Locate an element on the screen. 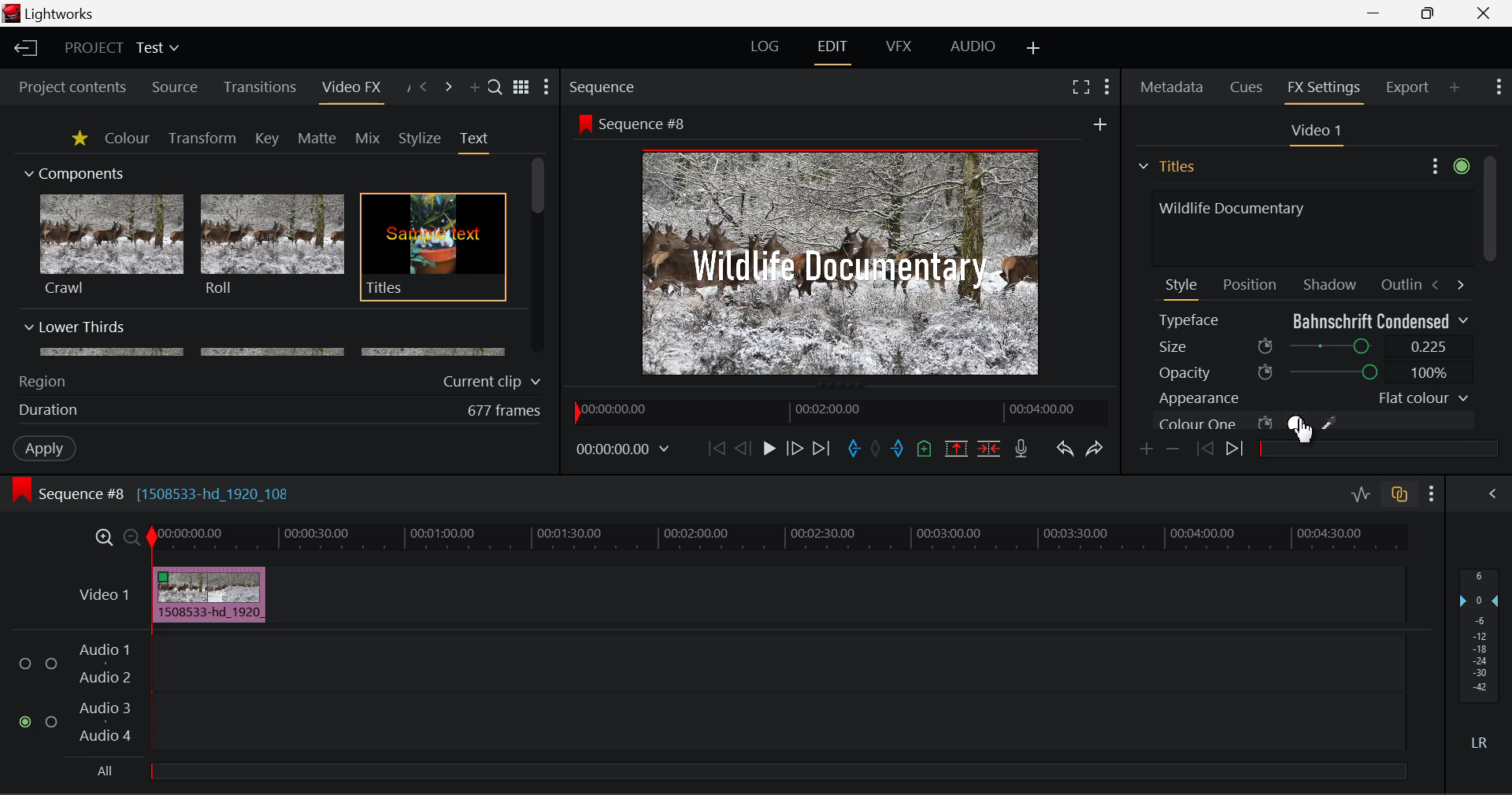 Image resolution: width=1512 pixels, height=795 pixels. Cues is located at coordinates (1248, 87).